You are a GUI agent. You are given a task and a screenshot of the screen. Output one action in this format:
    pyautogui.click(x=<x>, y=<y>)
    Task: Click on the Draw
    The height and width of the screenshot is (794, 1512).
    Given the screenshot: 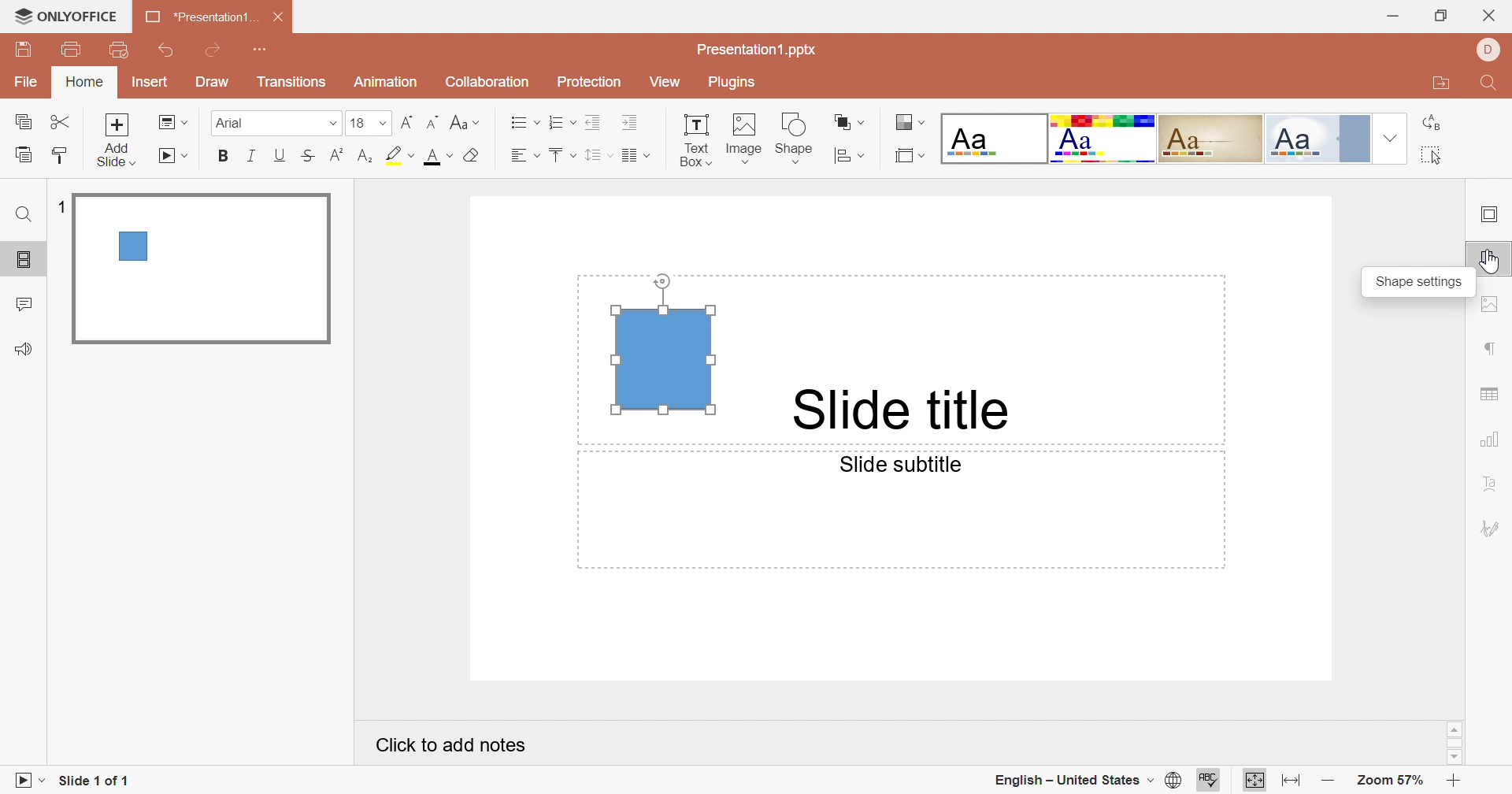 What is the action you would take?
    pyautogui.click(x=217, y=84)
    